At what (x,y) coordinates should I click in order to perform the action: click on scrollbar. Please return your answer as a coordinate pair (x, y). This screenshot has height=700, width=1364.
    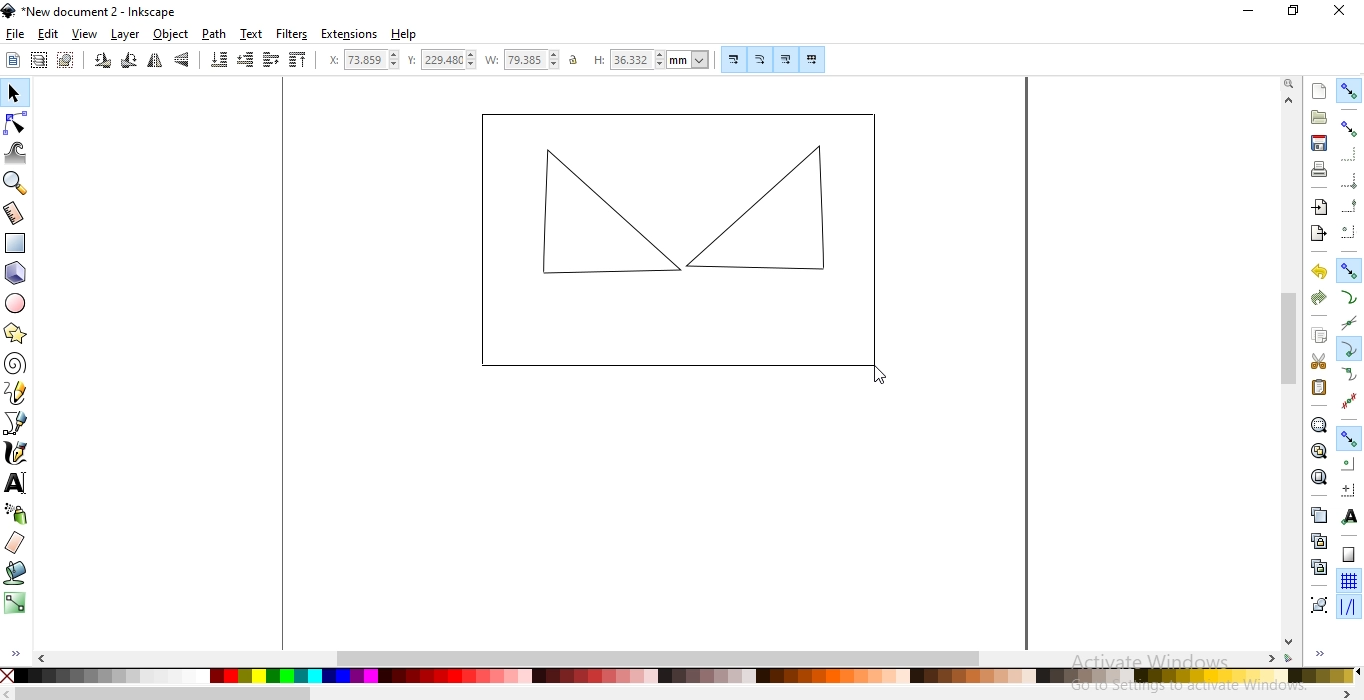
    Looking at the image, I should click on (662, 658).